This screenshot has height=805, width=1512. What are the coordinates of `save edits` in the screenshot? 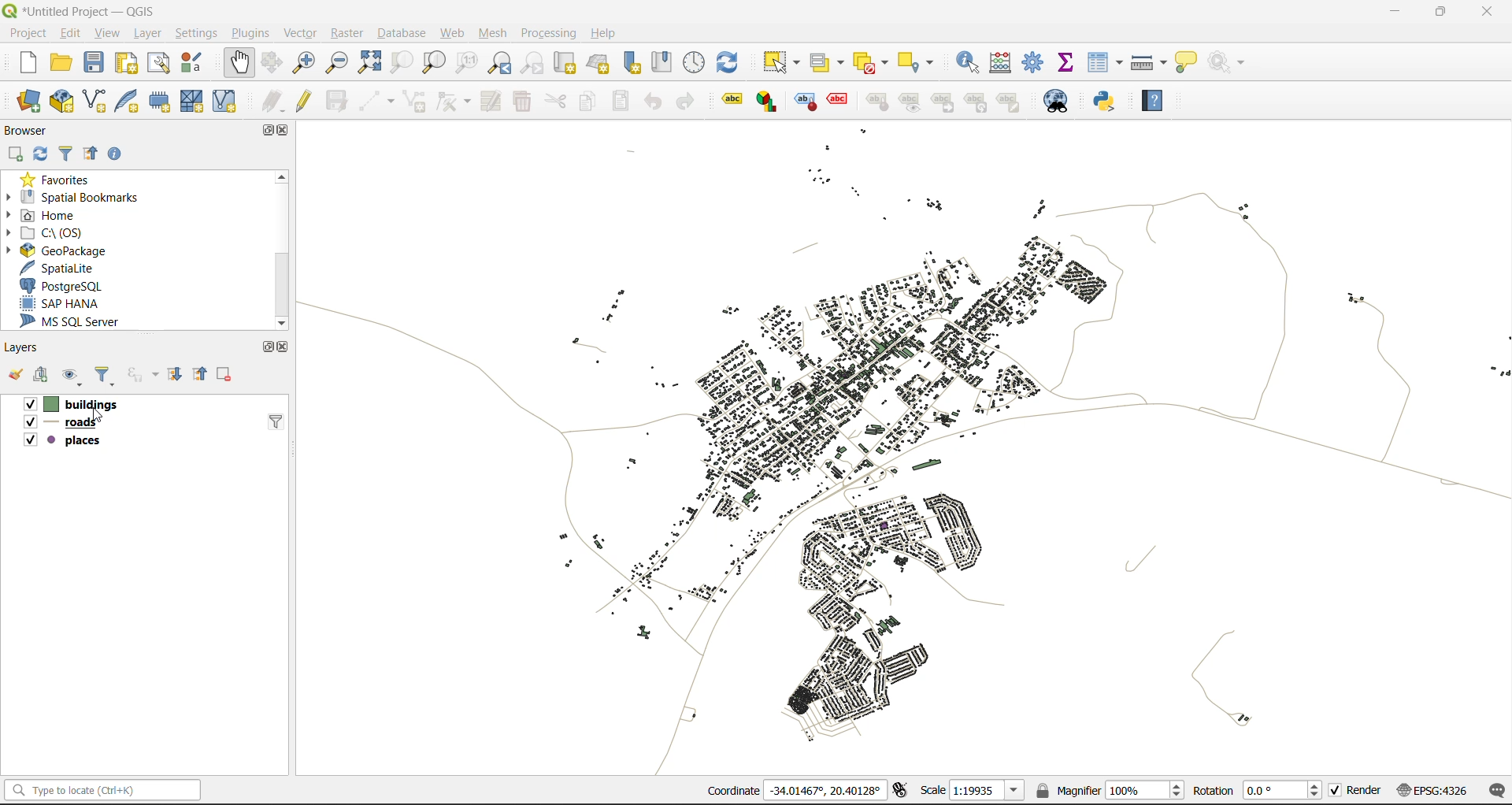 It's located at (336, 99).